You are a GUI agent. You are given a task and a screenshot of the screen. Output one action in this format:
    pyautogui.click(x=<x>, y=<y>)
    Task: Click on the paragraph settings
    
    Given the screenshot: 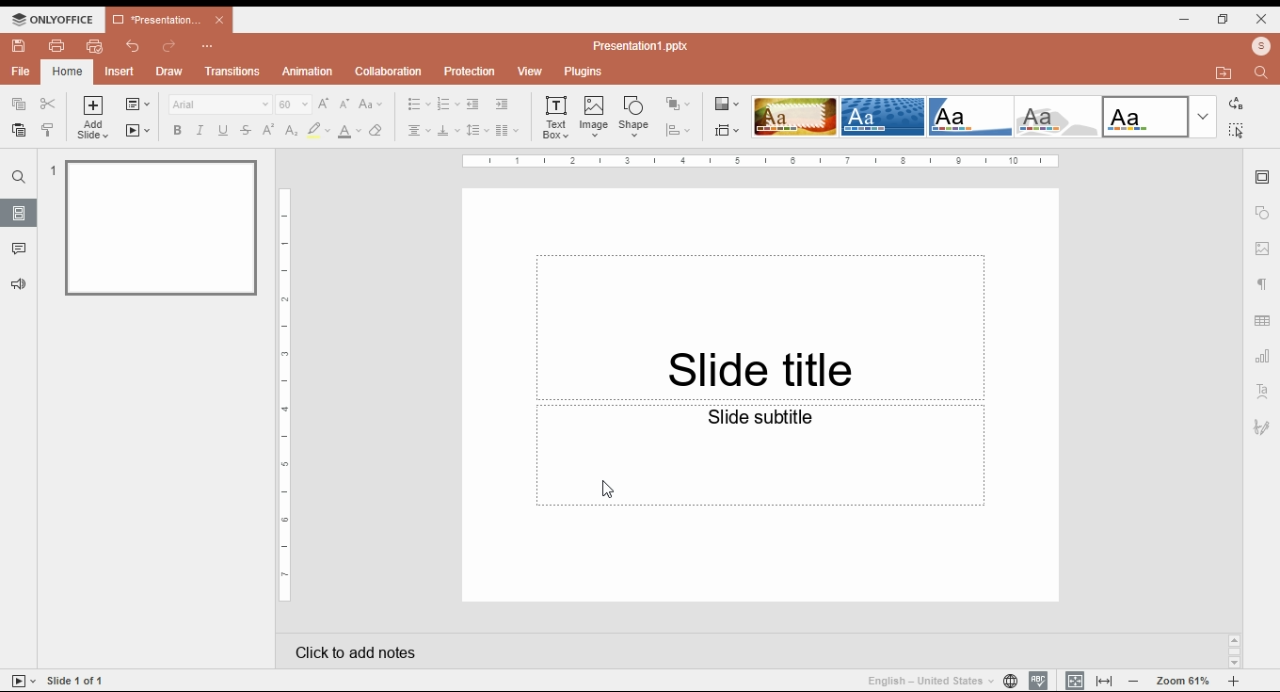 What is the action you would take?
    pyautogui.click(x=1265, y=287)
    